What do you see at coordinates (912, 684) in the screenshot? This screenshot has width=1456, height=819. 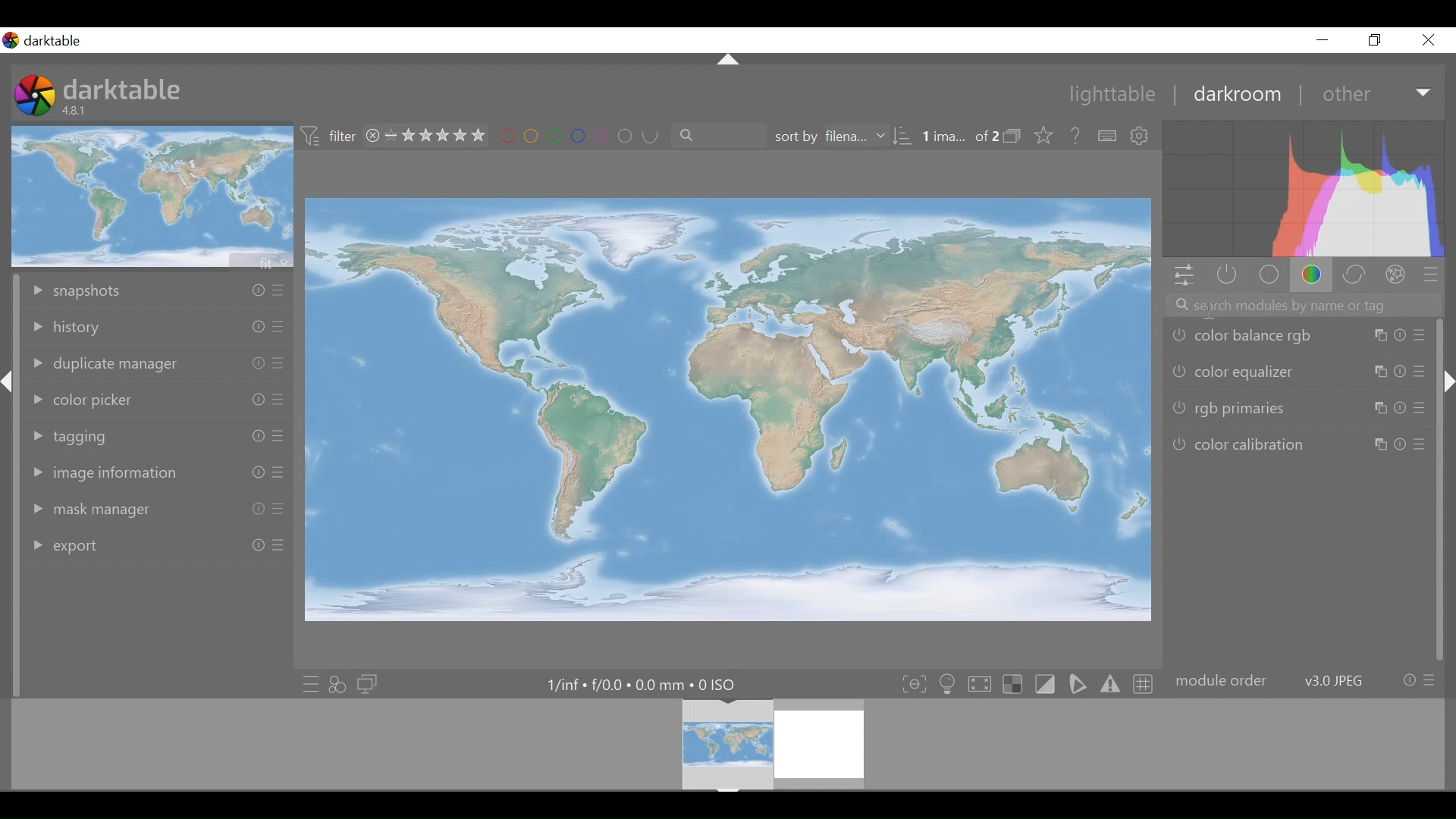 I see `toggle focus-peaking mode` at bounding box center [912, 684].